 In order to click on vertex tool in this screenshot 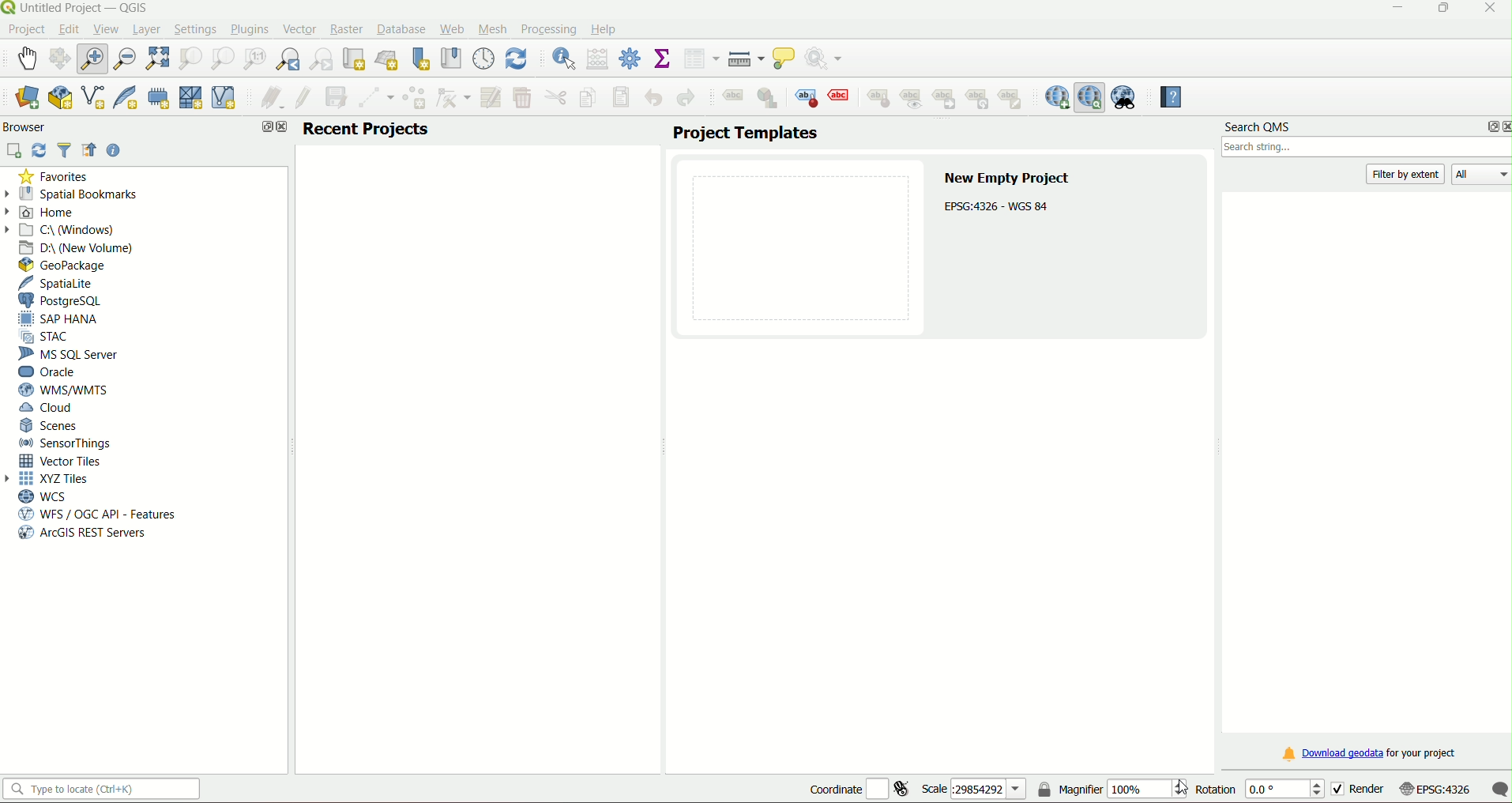, I will do `click(453, 97)`.